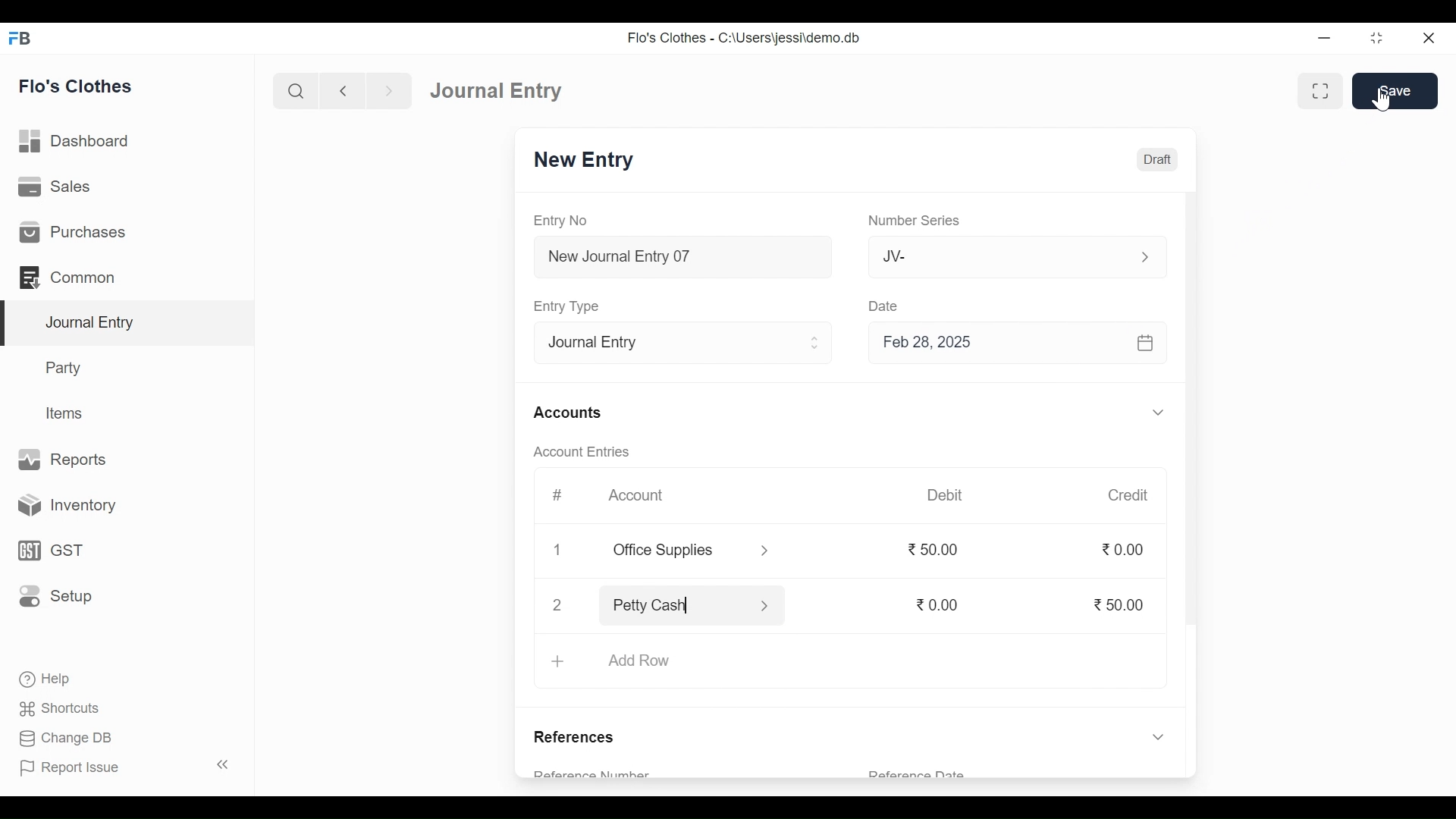 The width and height of the screenshot is (1456, 819). What do you see at coordinates (684, 259) in the screenshot?
I see `New Journal Entry 07` at bounding box center [684, 259].